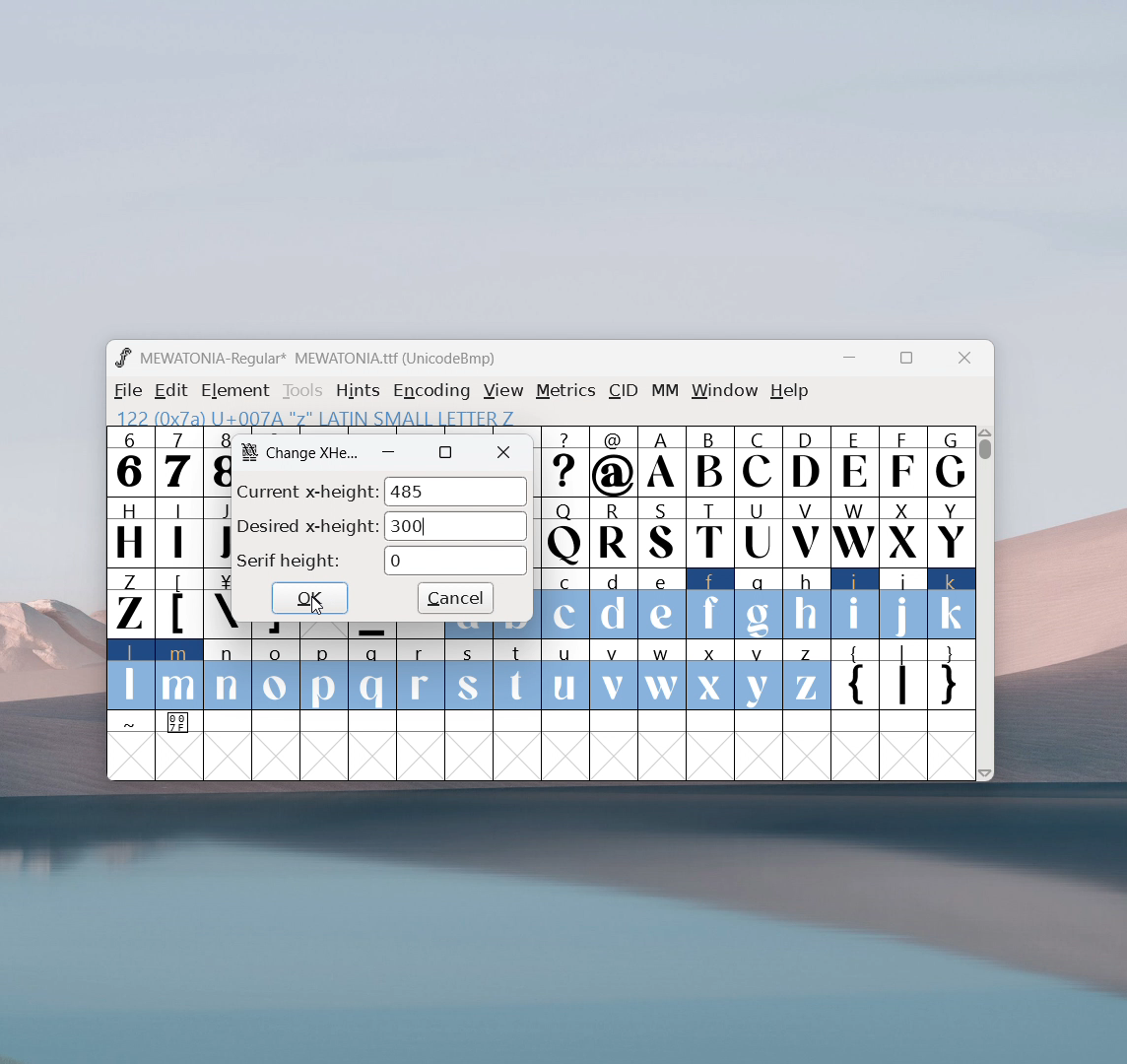  I want to click on n, so click(228, 677).